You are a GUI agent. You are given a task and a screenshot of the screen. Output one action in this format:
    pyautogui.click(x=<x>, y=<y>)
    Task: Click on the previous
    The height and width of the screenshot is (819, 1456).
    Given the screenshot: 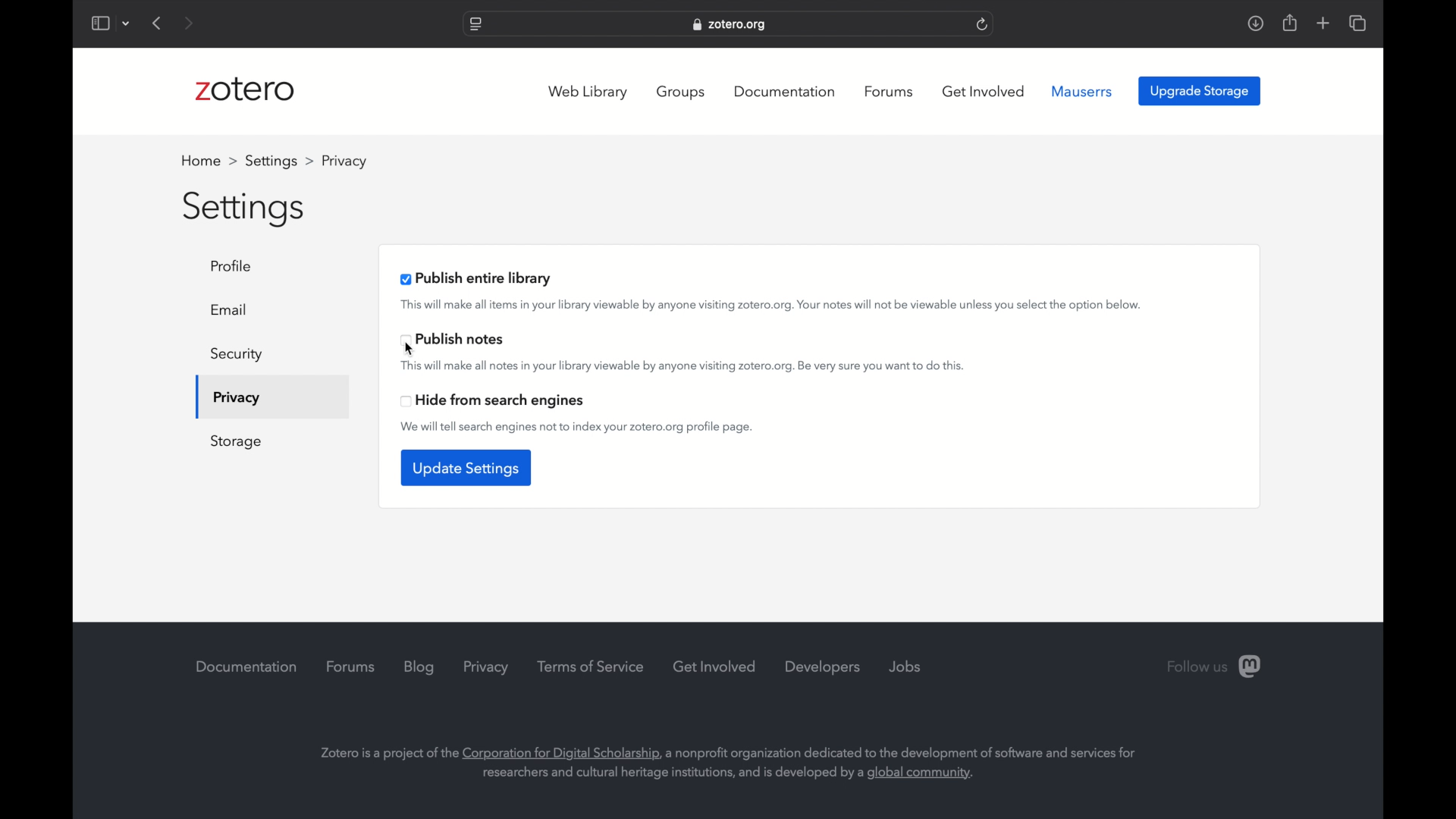 What is the action you would take?
    pyautogui.click(x=158, y=23)
    